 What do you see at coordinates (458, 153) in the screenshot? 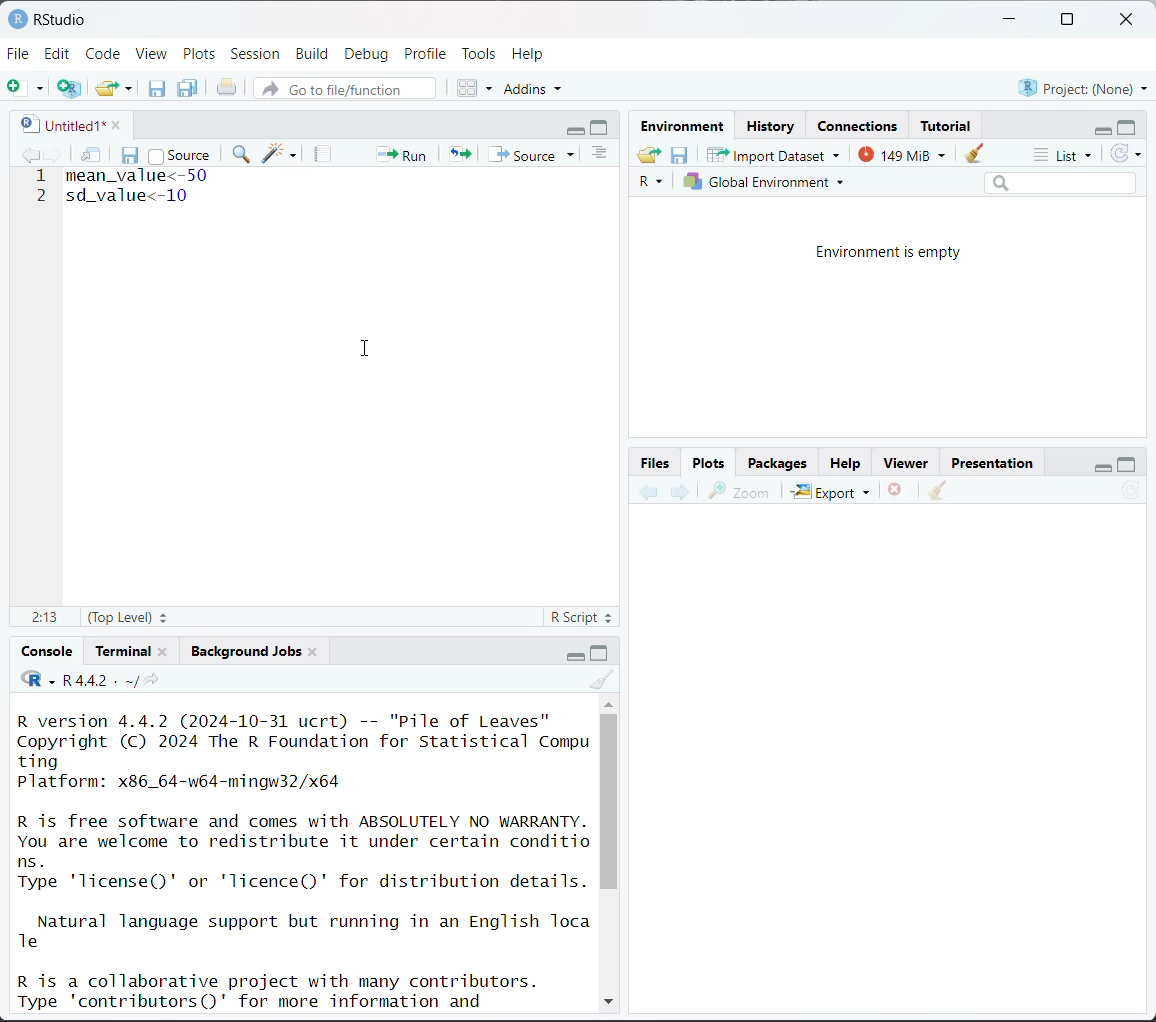
I see `re-run` at bounding box center [458, 153].